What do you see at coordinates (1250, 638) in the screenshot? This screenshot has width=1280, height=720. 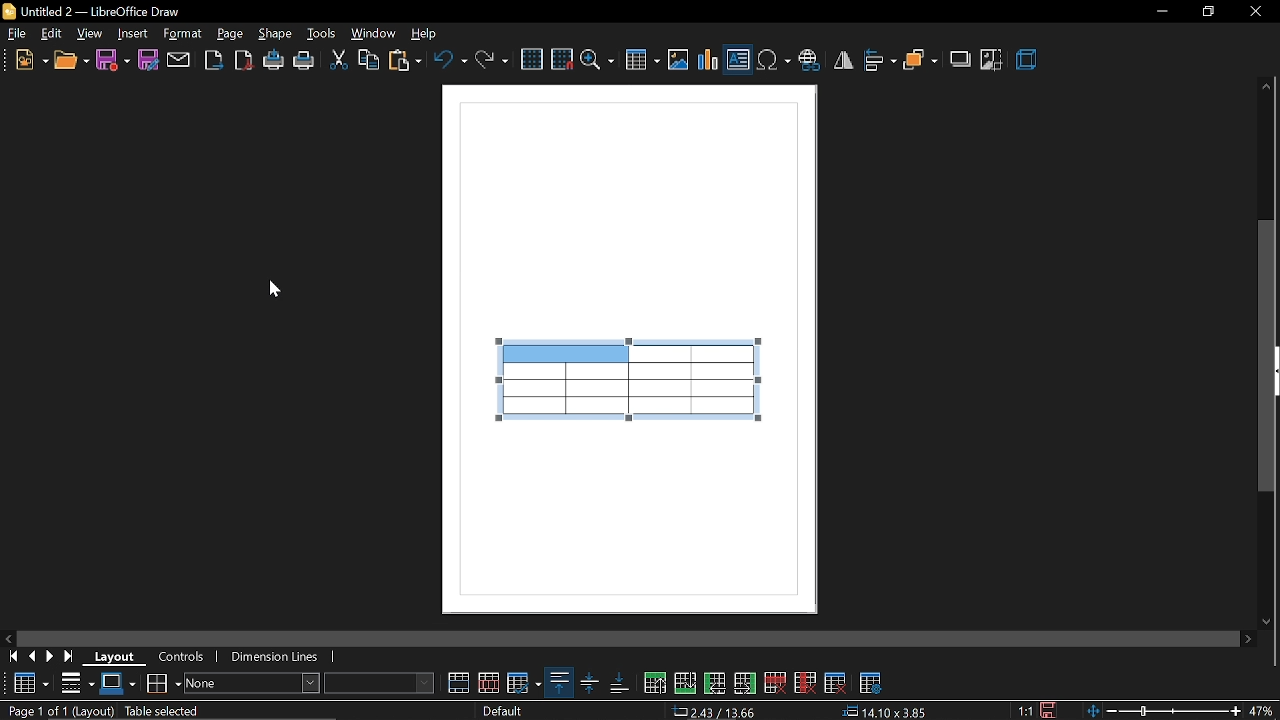 I see `move right` at bounding box center [1250, 638].